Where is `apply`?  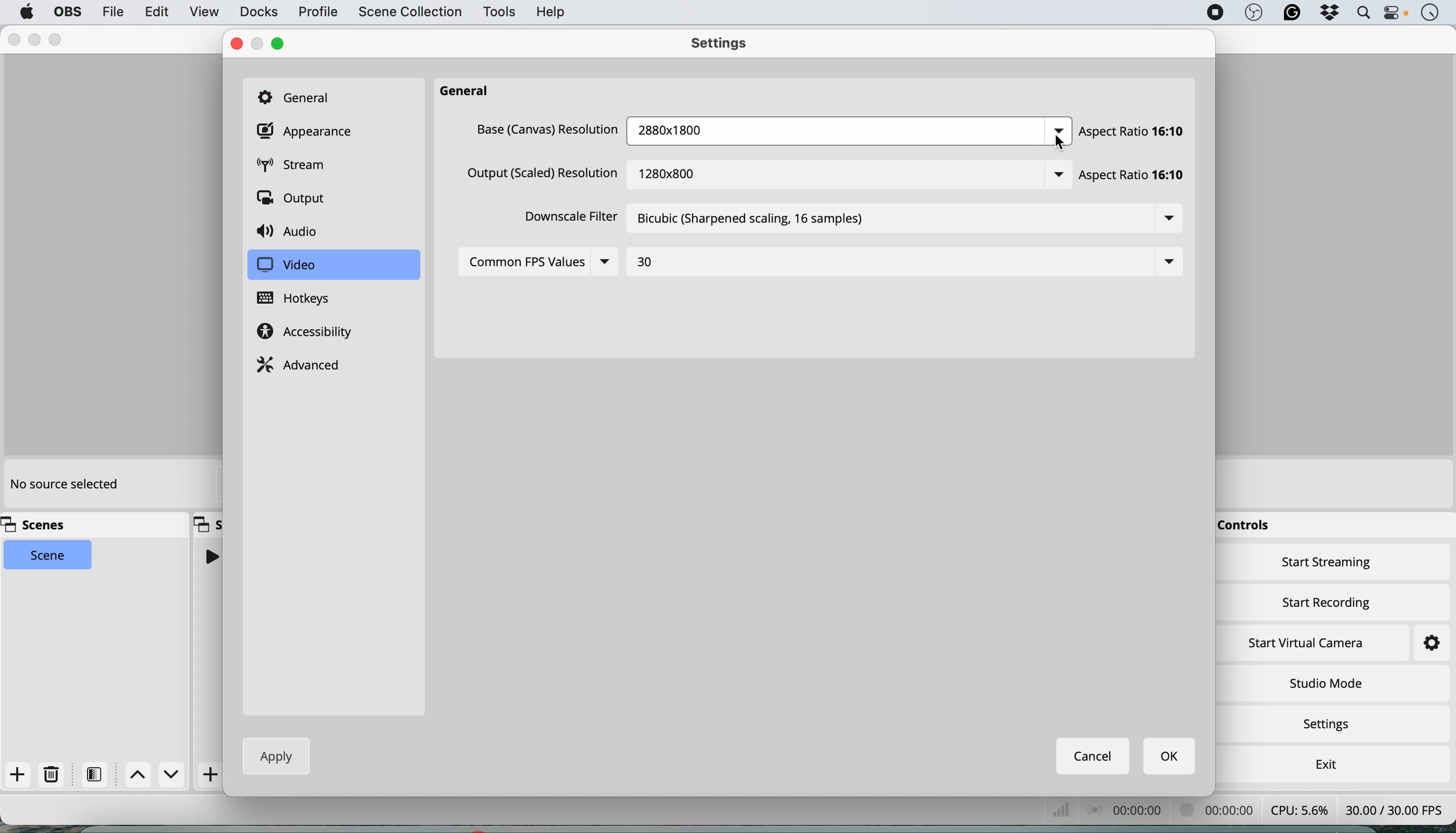 apply is located at coordinates (272, 756).